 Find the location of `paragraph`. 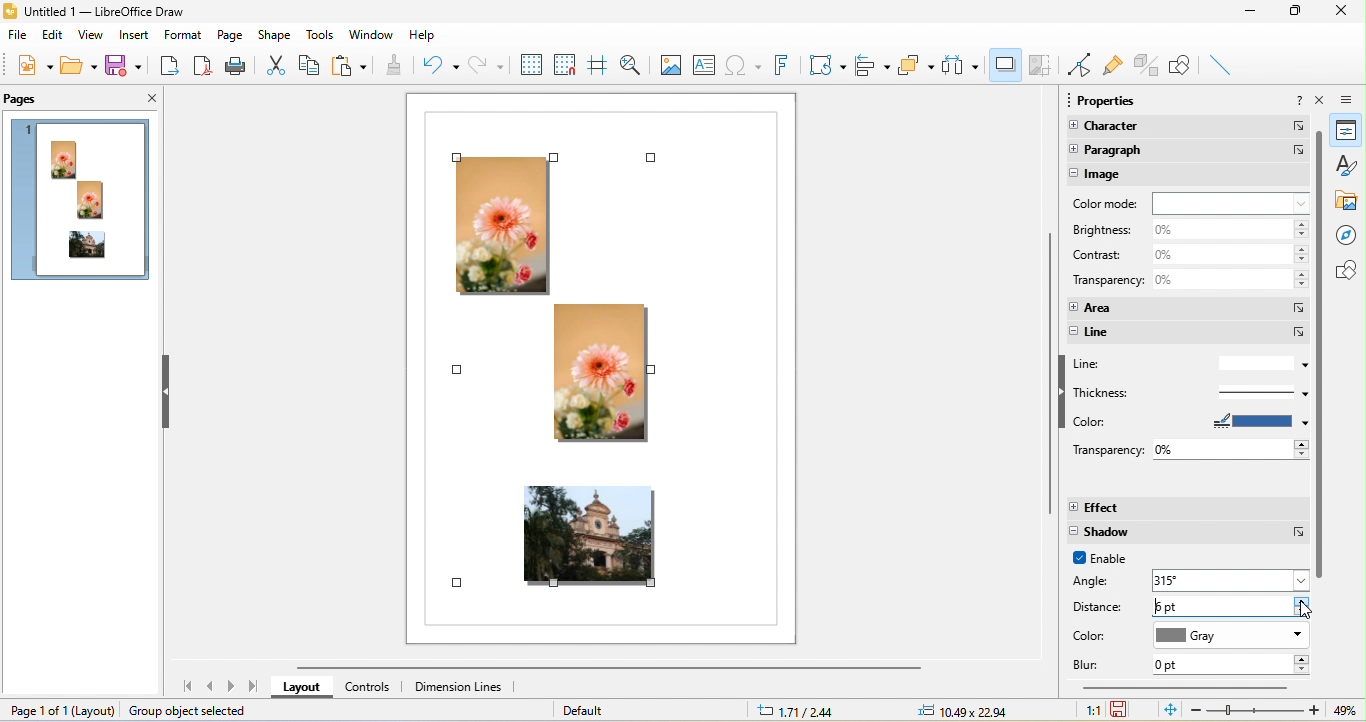

paragraph is located at coordinates (1188, 150).